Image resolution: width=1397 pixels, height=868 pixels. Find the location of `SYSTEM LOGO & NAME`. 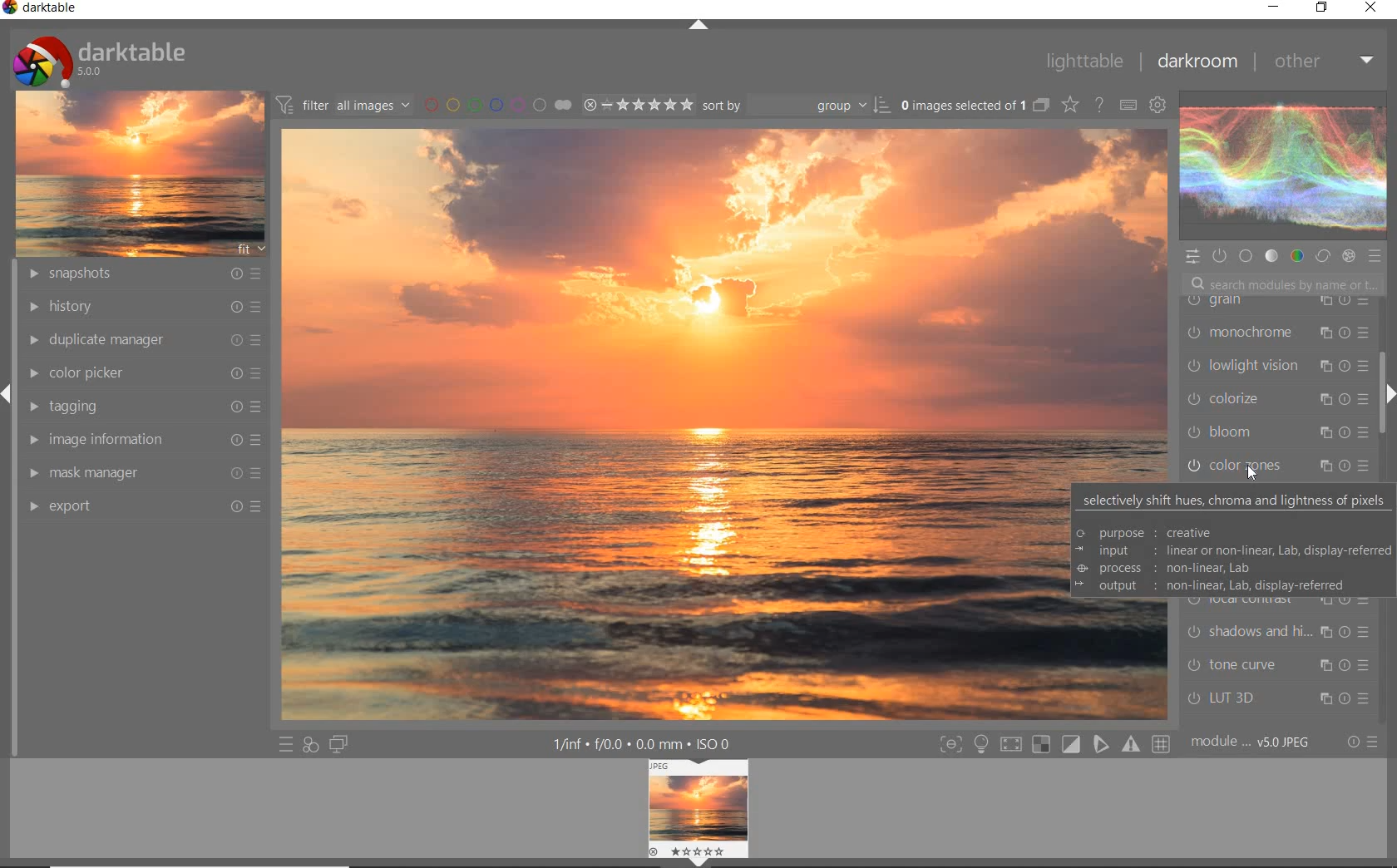

SYSTEM LOGO & NAME is located at coordinates (99, 57).